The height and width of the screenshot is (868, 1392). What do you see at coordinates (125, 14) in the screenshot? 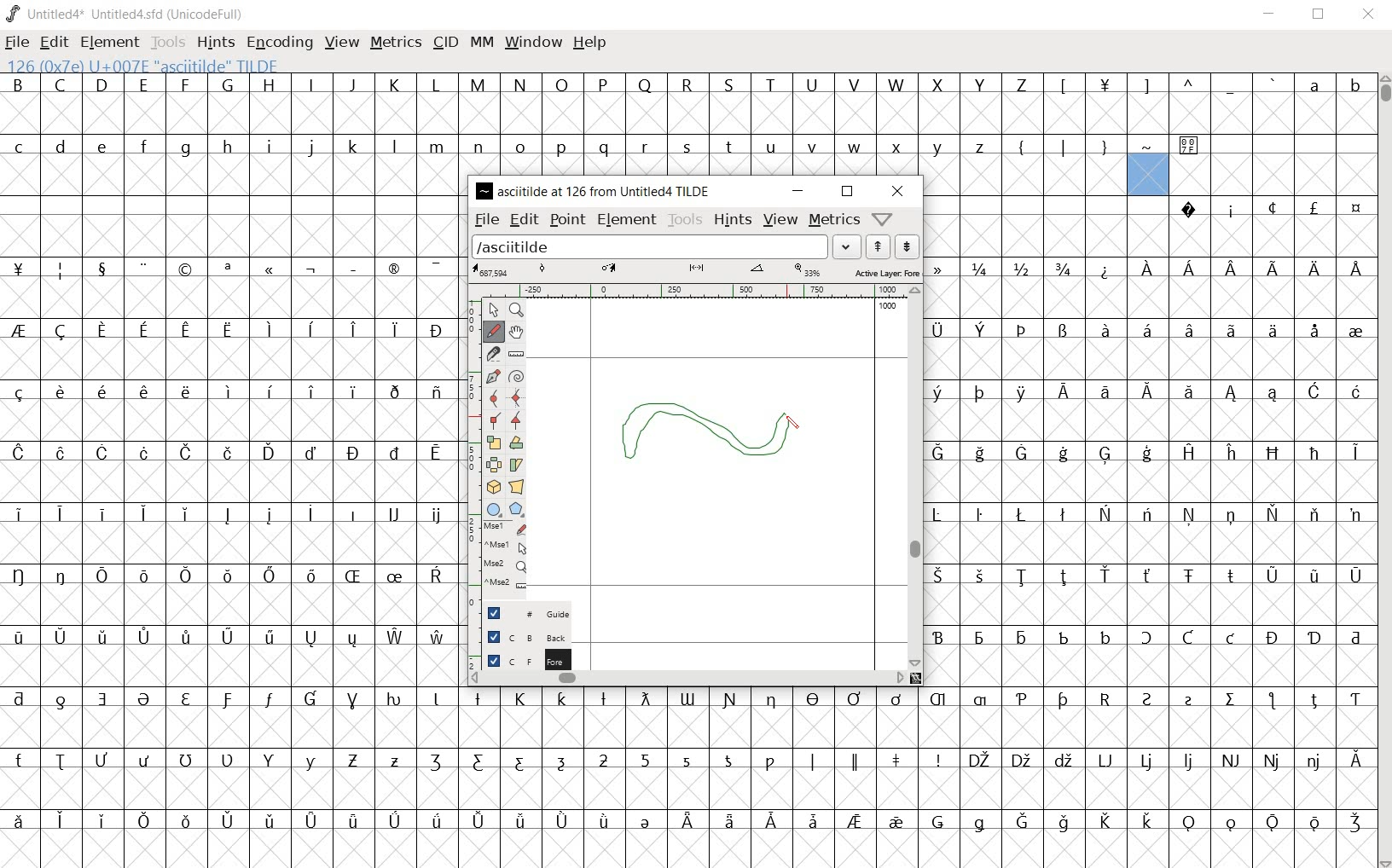
I see `Untitled4* Untitled4.sfd (UnicodeFull)` at bounding box center [125, 14].